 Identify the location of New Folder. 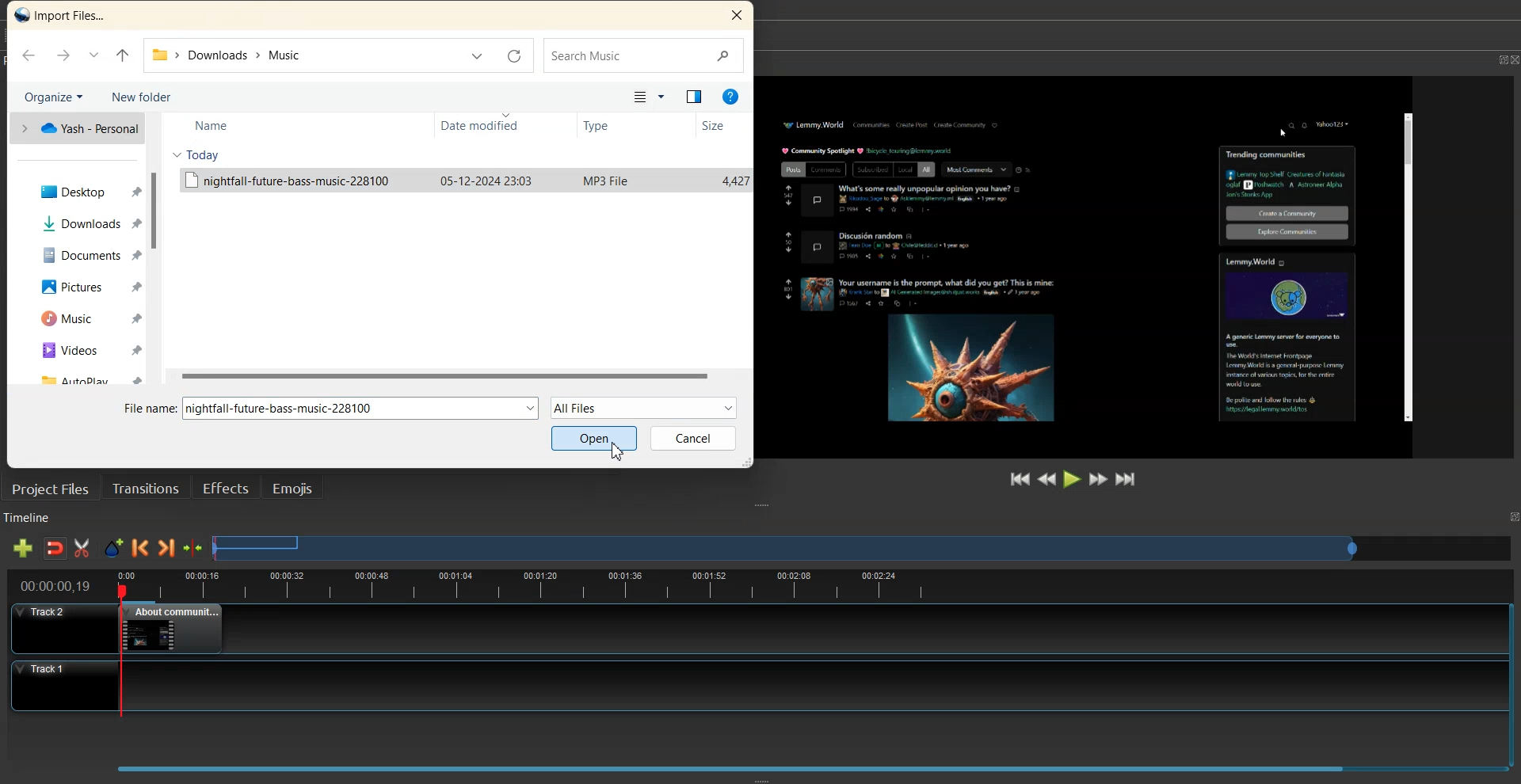
(139, 96).